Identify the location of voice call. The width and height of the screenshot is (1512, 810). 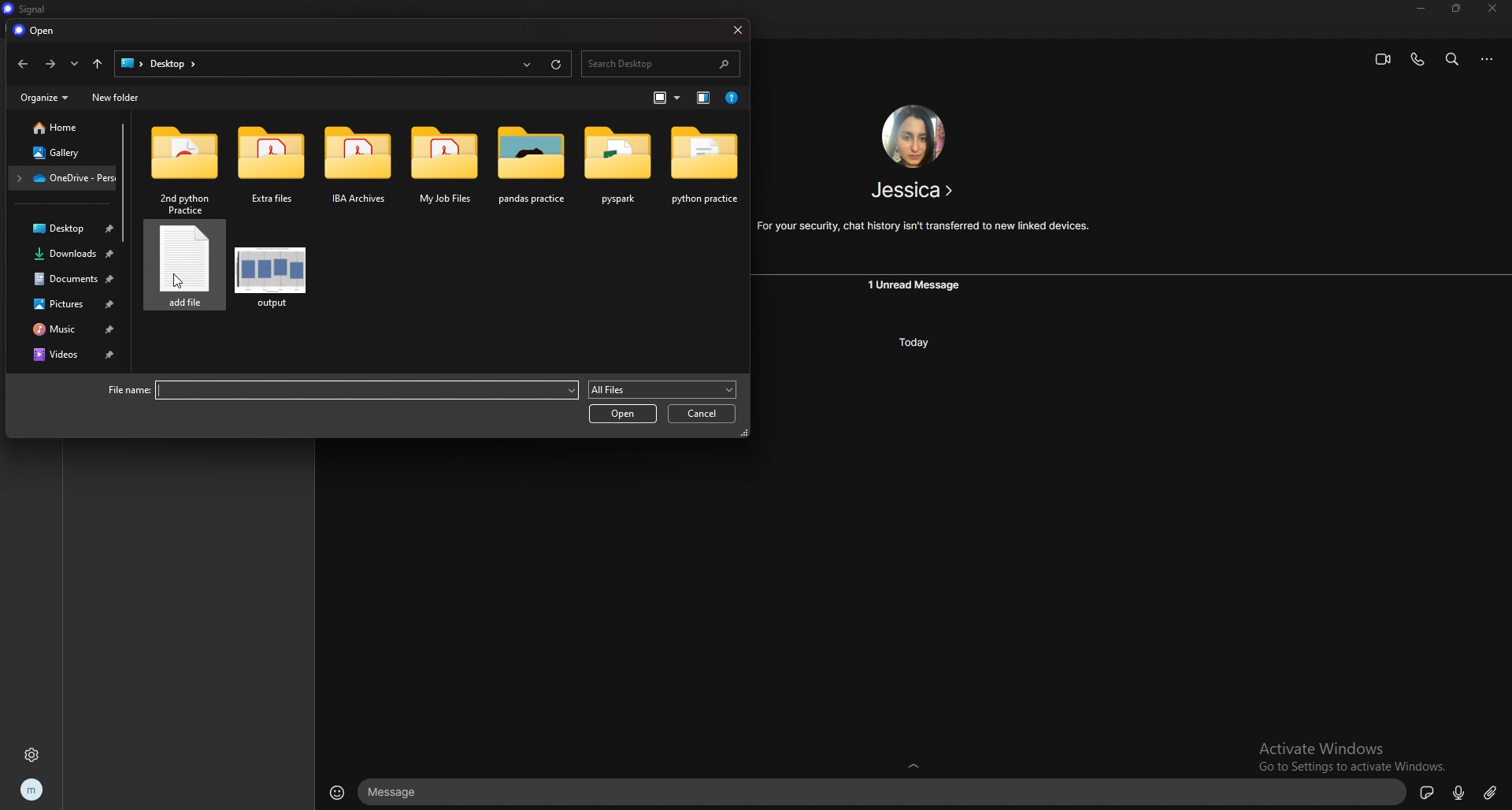
(1417, 59).